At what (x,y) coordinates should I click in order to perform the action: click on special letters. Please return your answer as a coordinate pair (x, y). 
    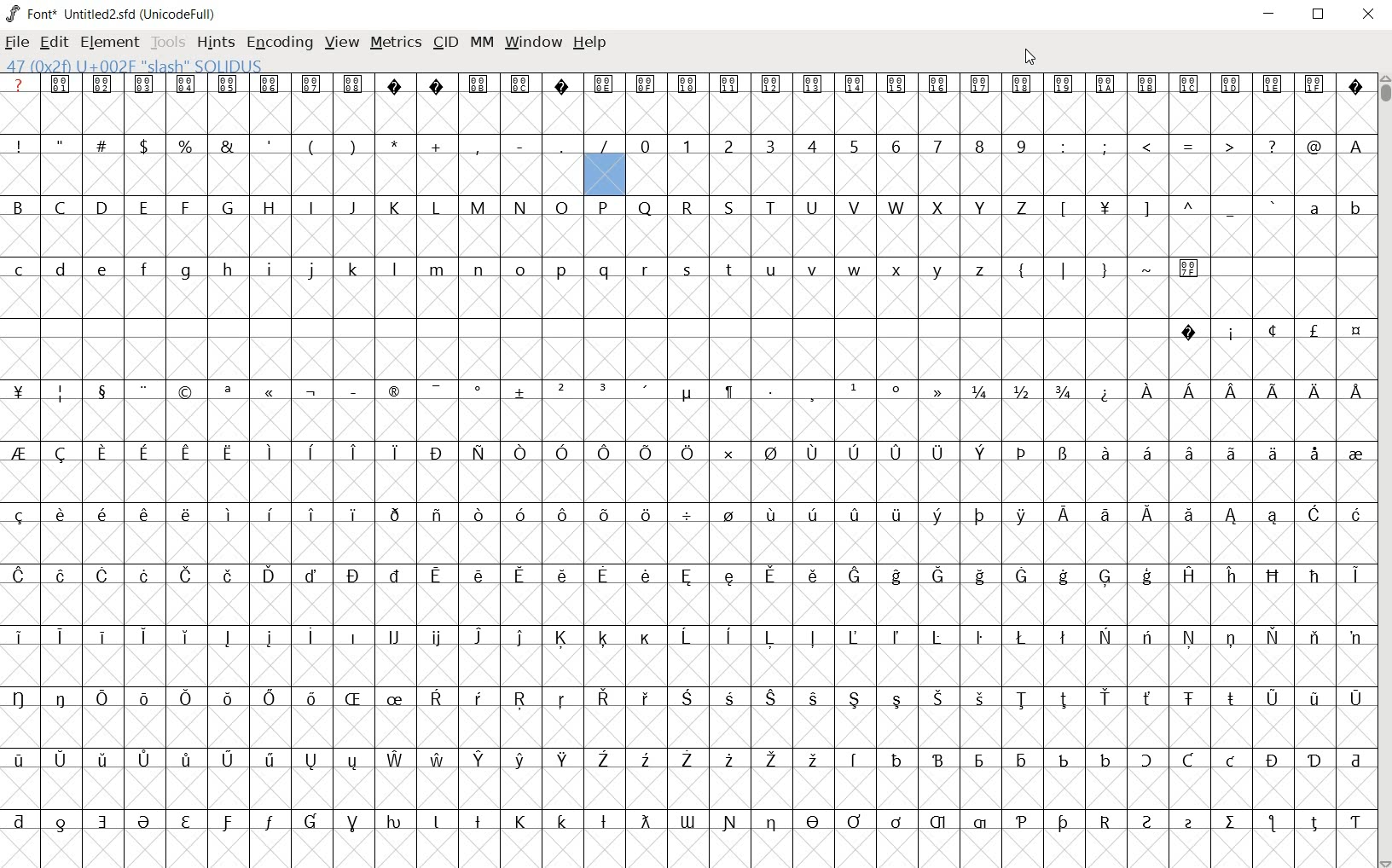
    Looking at the image, I should click on (690, 636).